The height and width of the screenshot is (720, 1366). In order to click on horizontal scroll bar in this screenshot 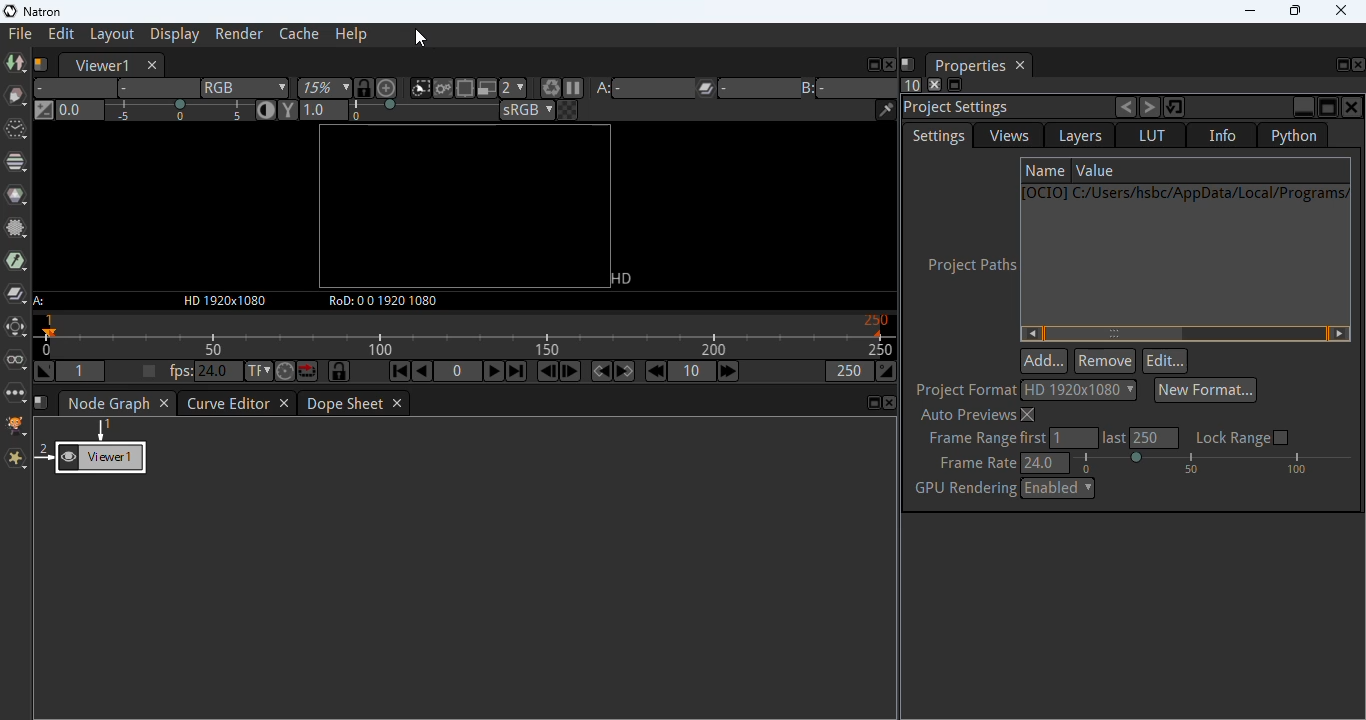, I will do `click(1185, 334)`.